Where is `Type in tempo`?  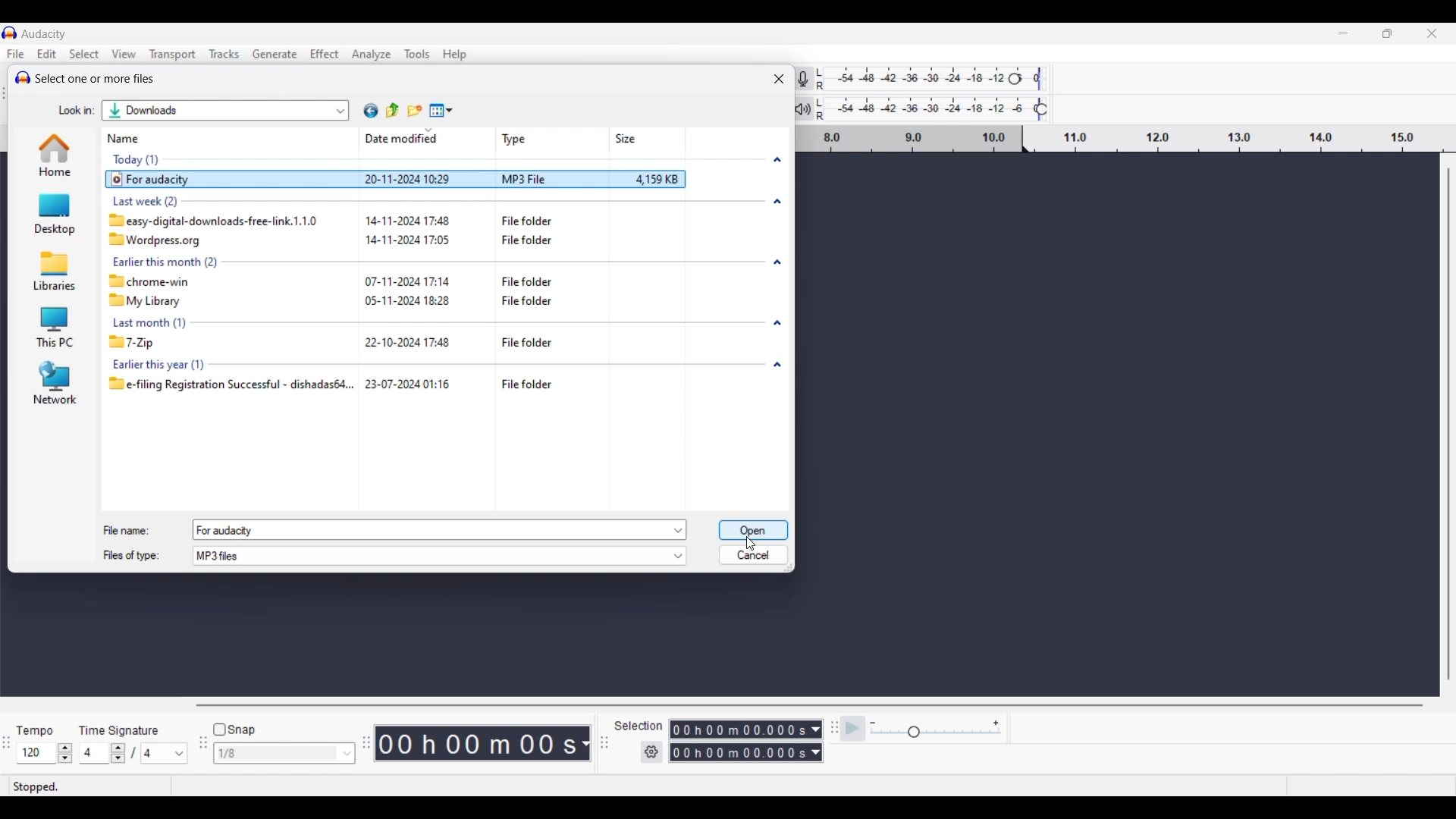
Type in tempo is located at coordinates (37, 754).